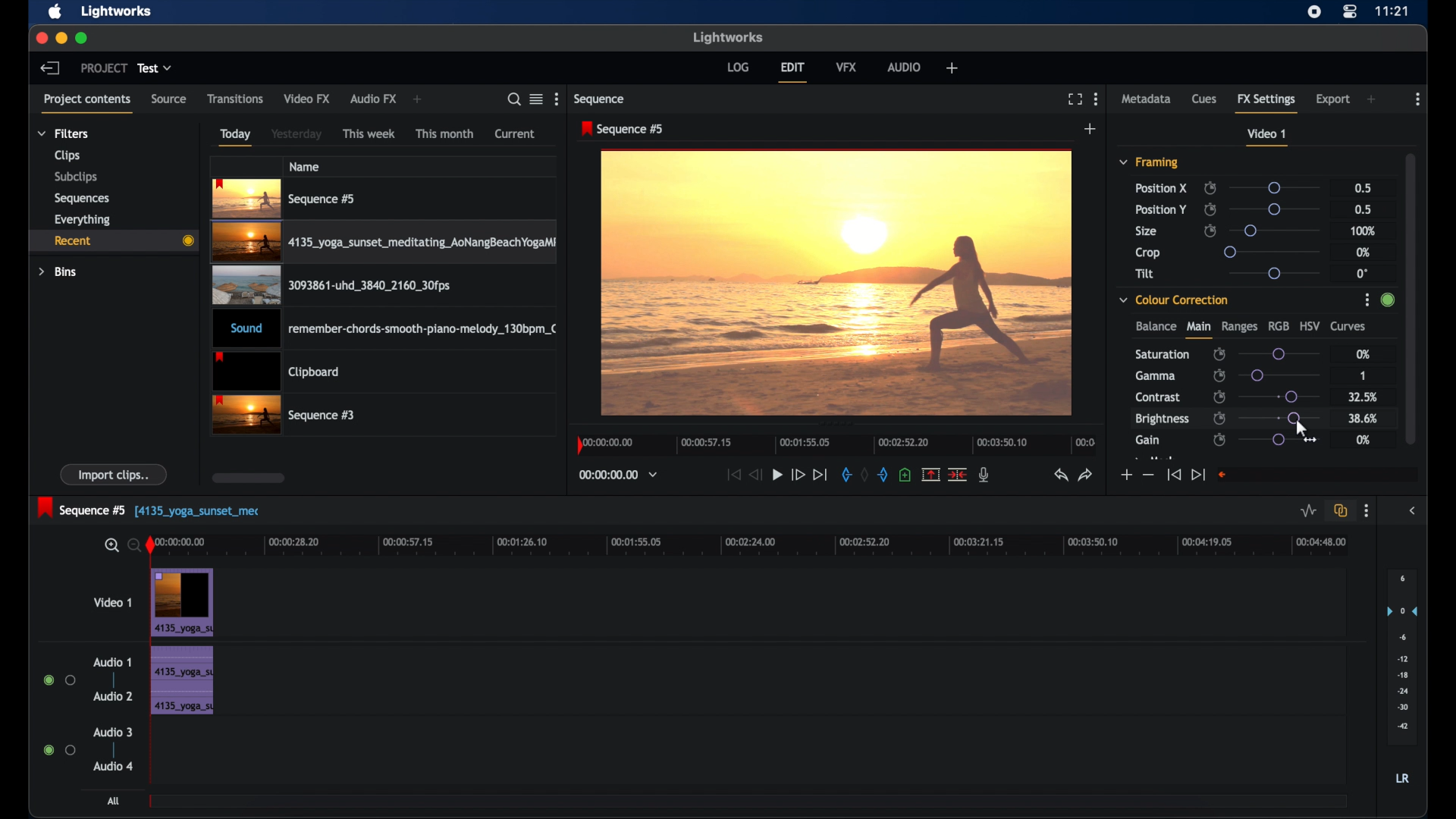 This screenshot has height=819, width=1456. What do you see at coordinates (181, 682) in the screenshot?
I see `audio clip` at bounding box center [181, 682].